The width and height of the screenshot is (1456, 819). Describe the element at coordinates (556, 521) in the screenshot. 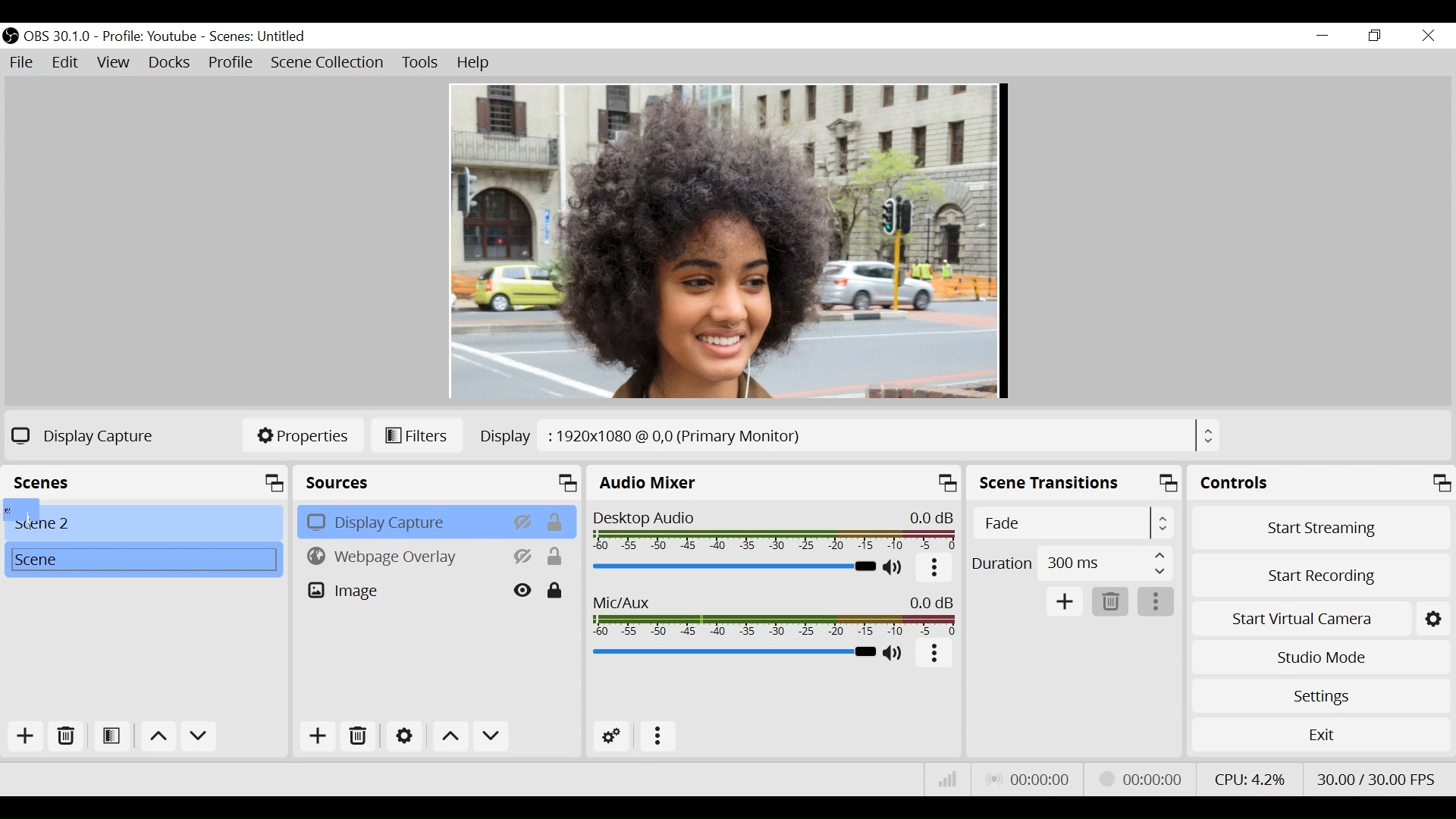

I see `(un)lock` at that location.